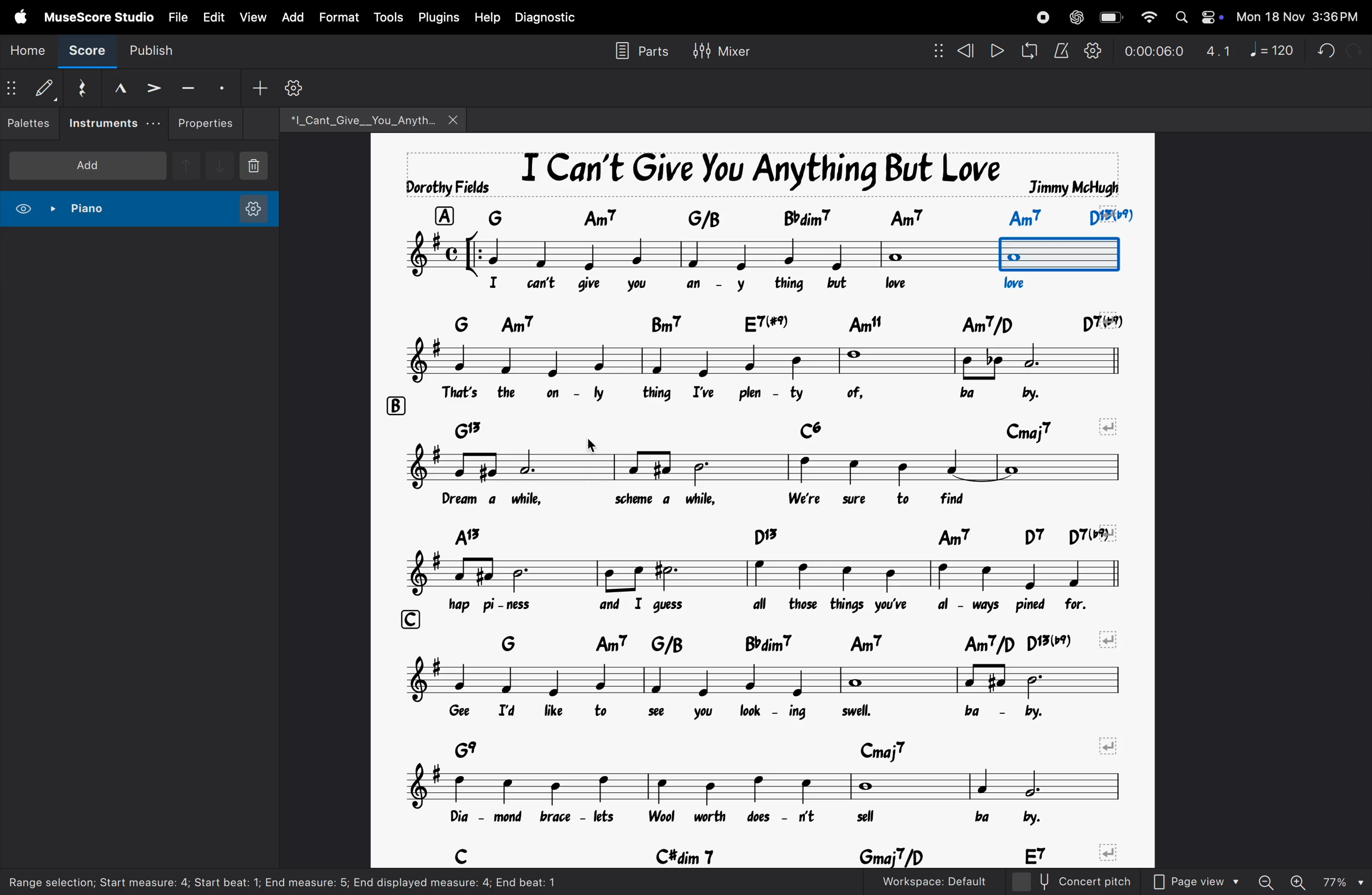 This screenshot has height=895, width=1372. What do you see at coordinates (772, 466) in the screenshot?
I see `notes` at bounding box center [772, 466].